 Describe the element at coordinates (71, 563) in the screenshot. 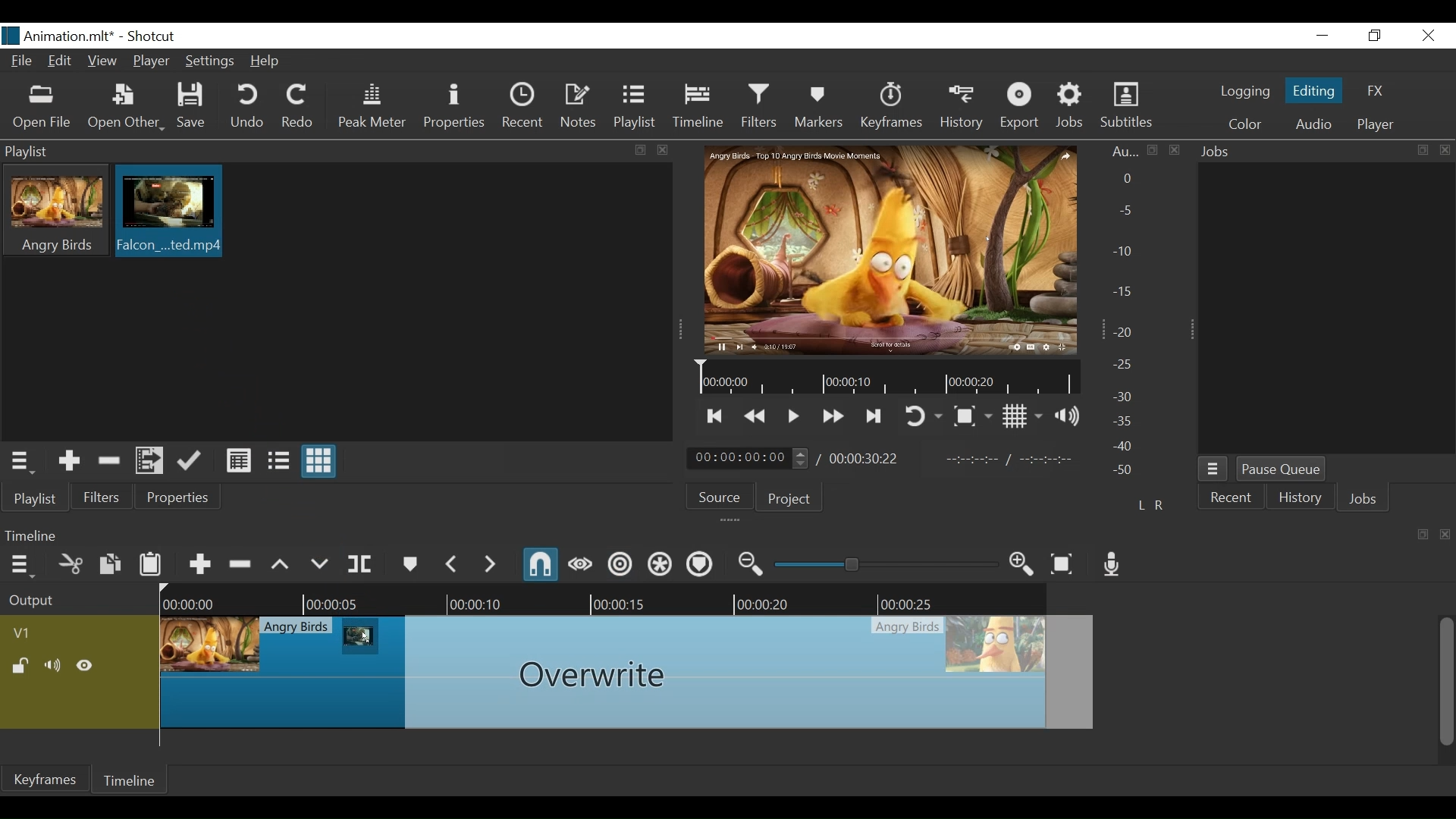

I see `Cut` at that location.